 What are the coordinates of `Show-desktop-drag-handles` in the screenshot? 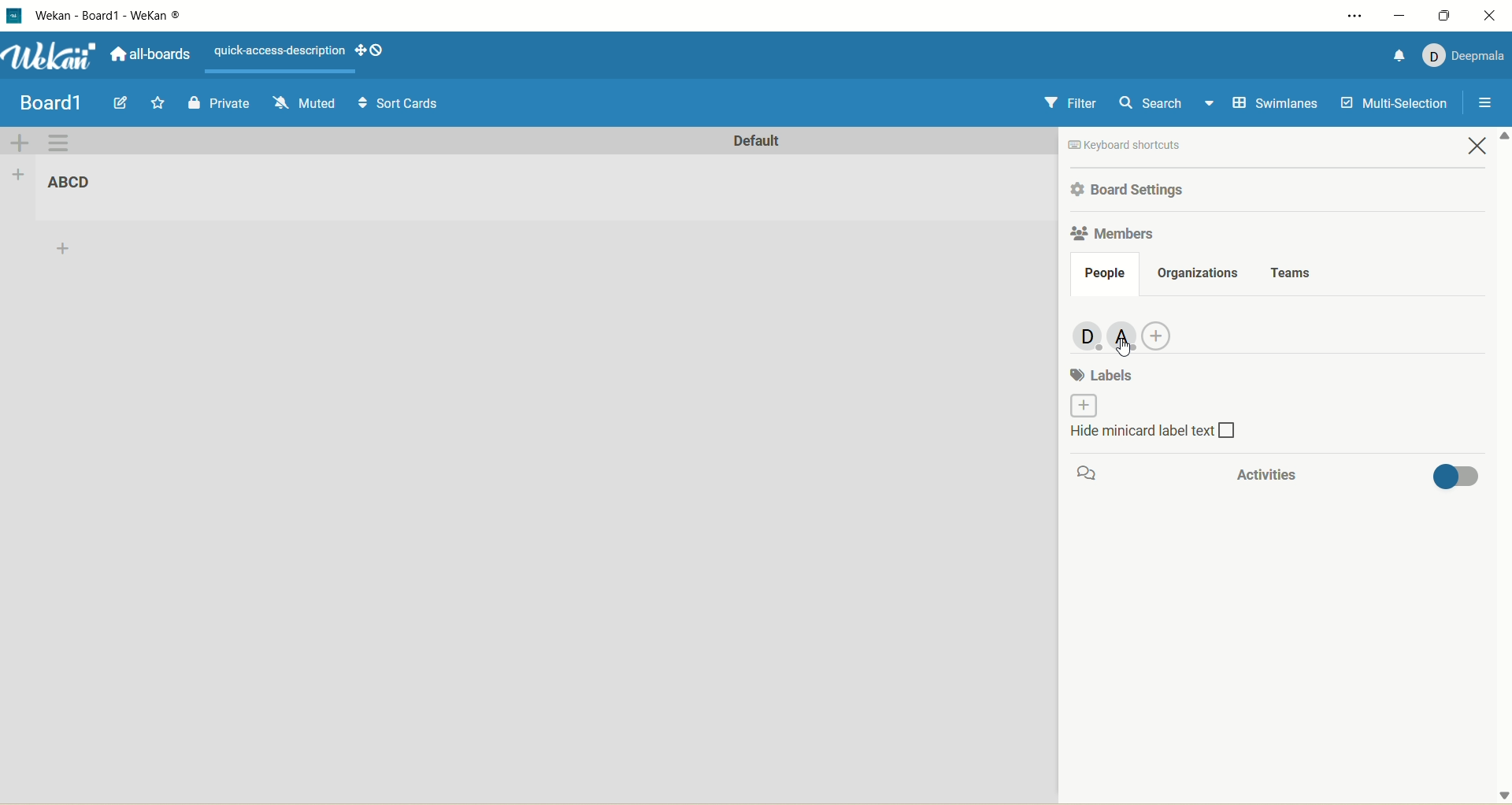 It's located at (380, 50).